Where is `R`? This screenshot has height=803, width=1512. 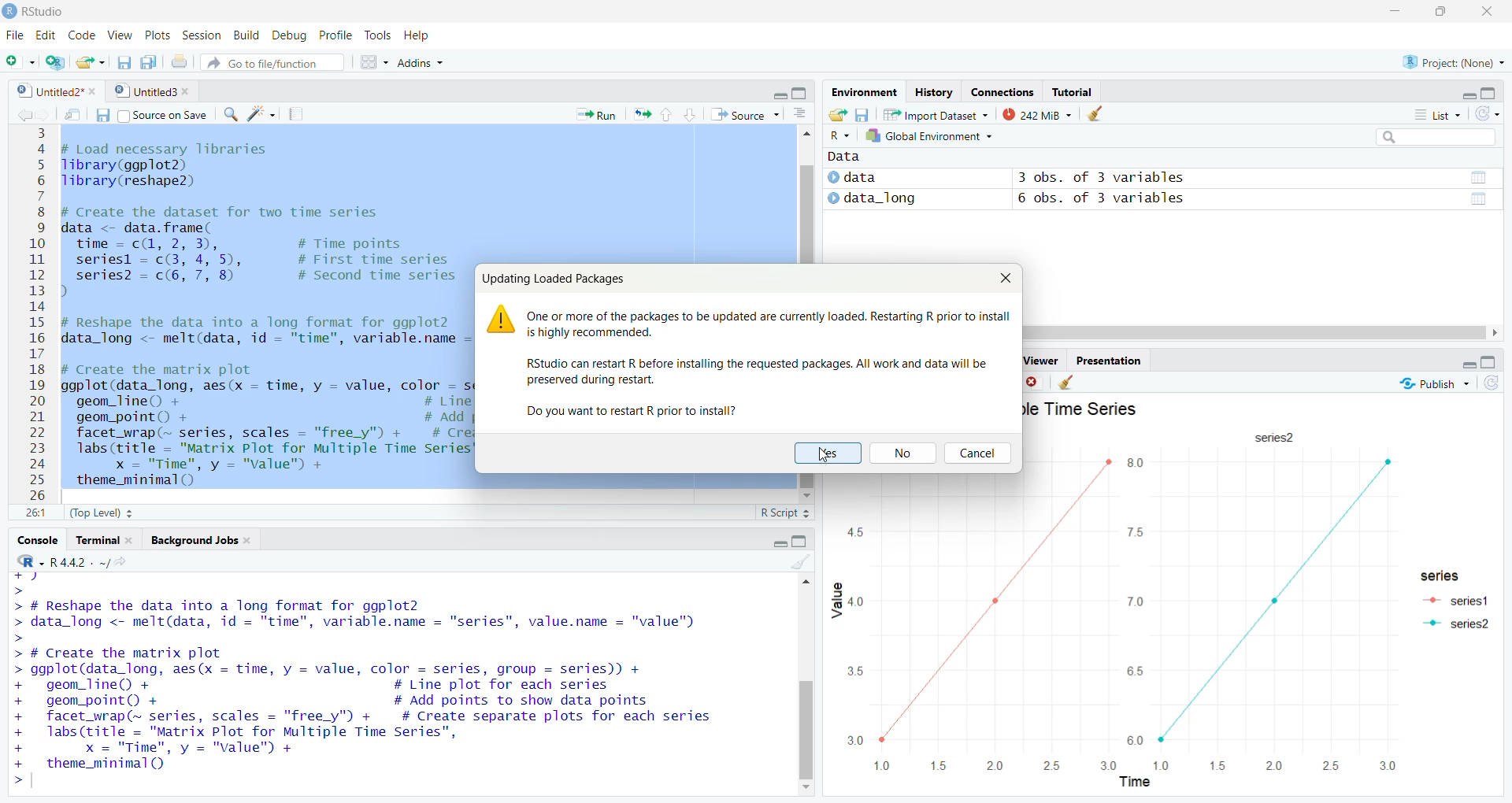
R is located at coordinates (838, 135).